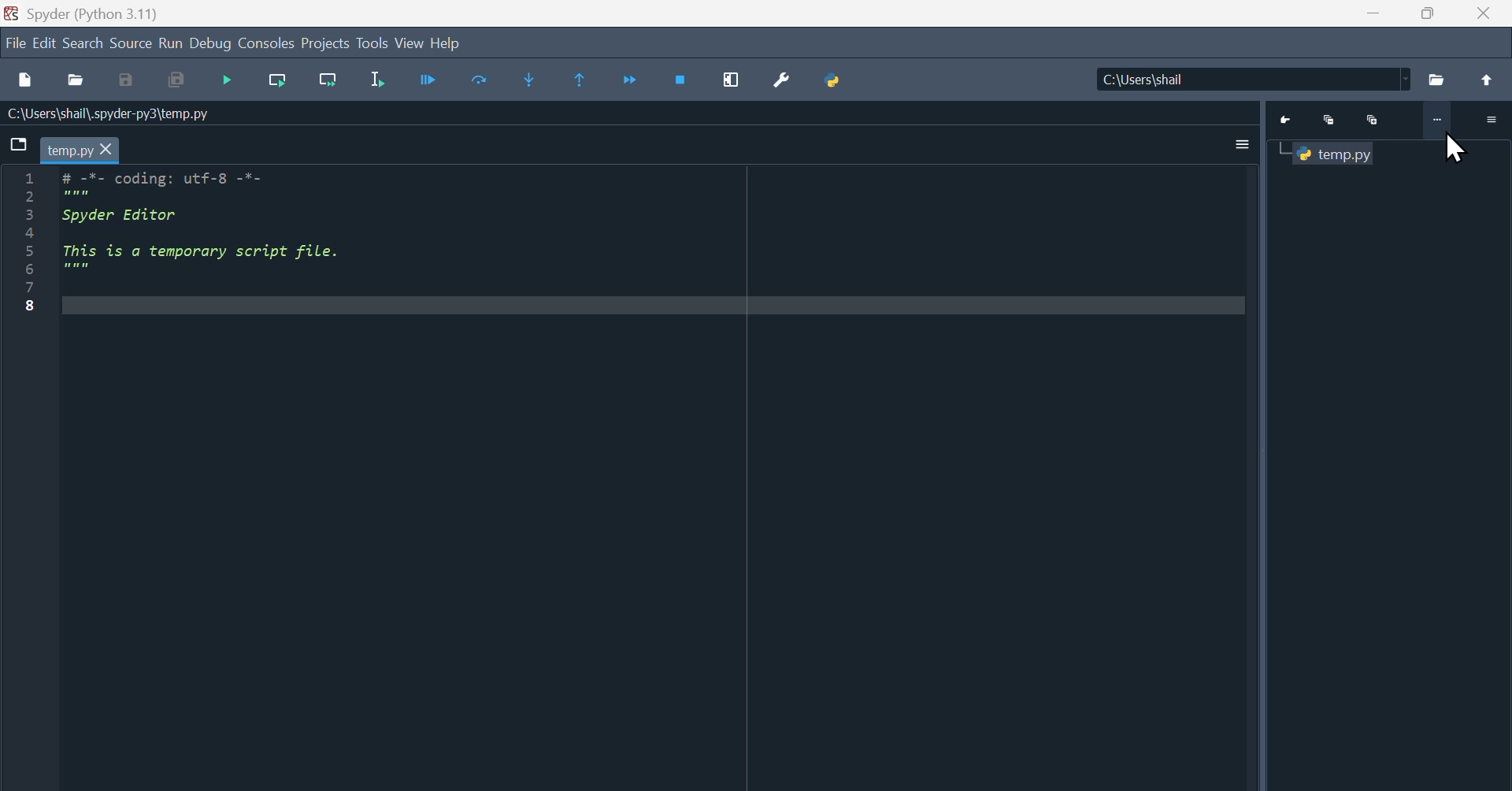 The width and height of the screenshot is (1512, 791). What do you see at coordinates (171, 44) in the screenshot?
I see `run` at bounding box center [171, 44].